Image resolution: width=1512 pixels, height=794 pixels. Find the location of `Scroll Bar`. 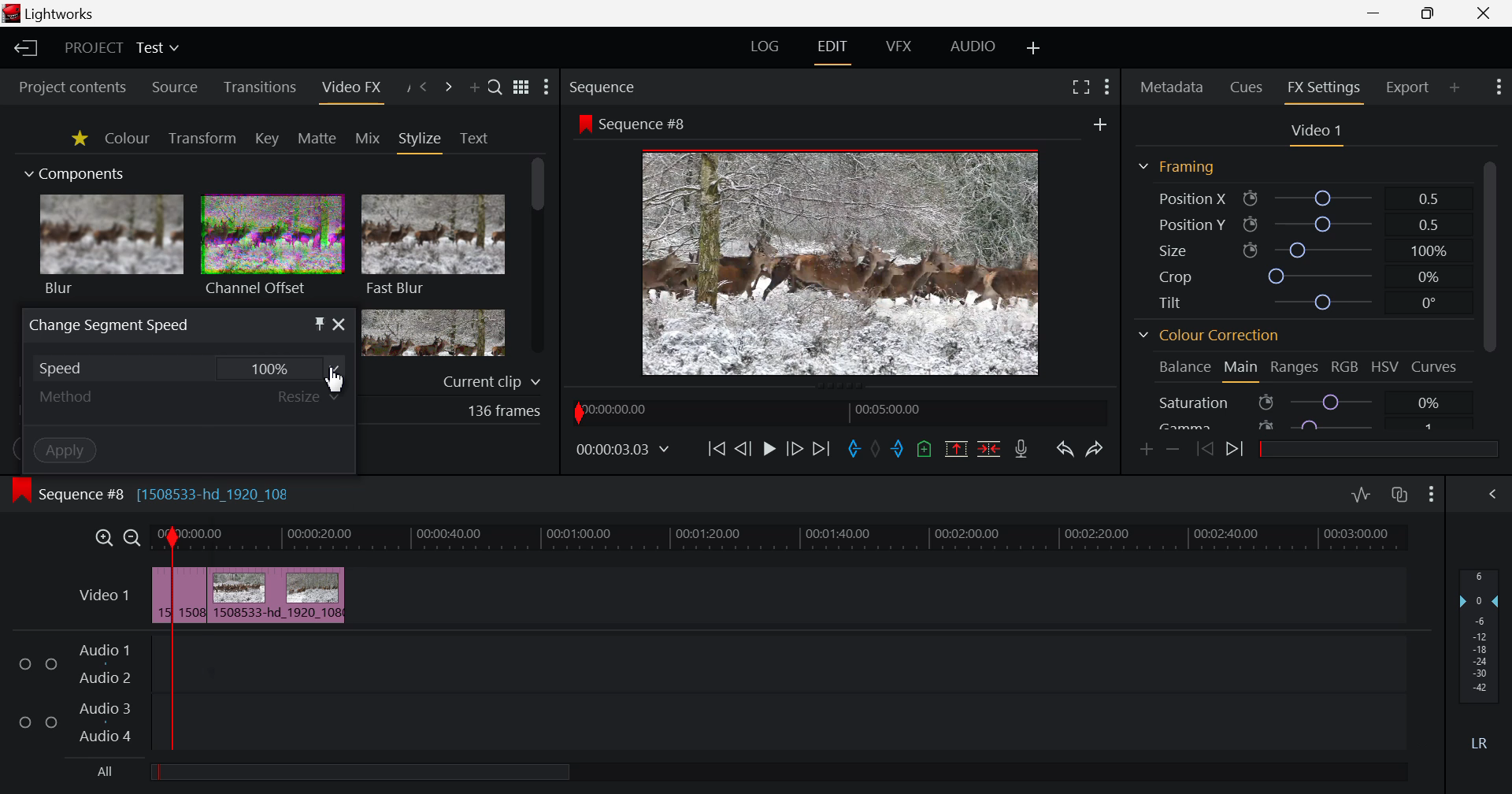

Scroll Bar is located at coordinates (1490, 291).